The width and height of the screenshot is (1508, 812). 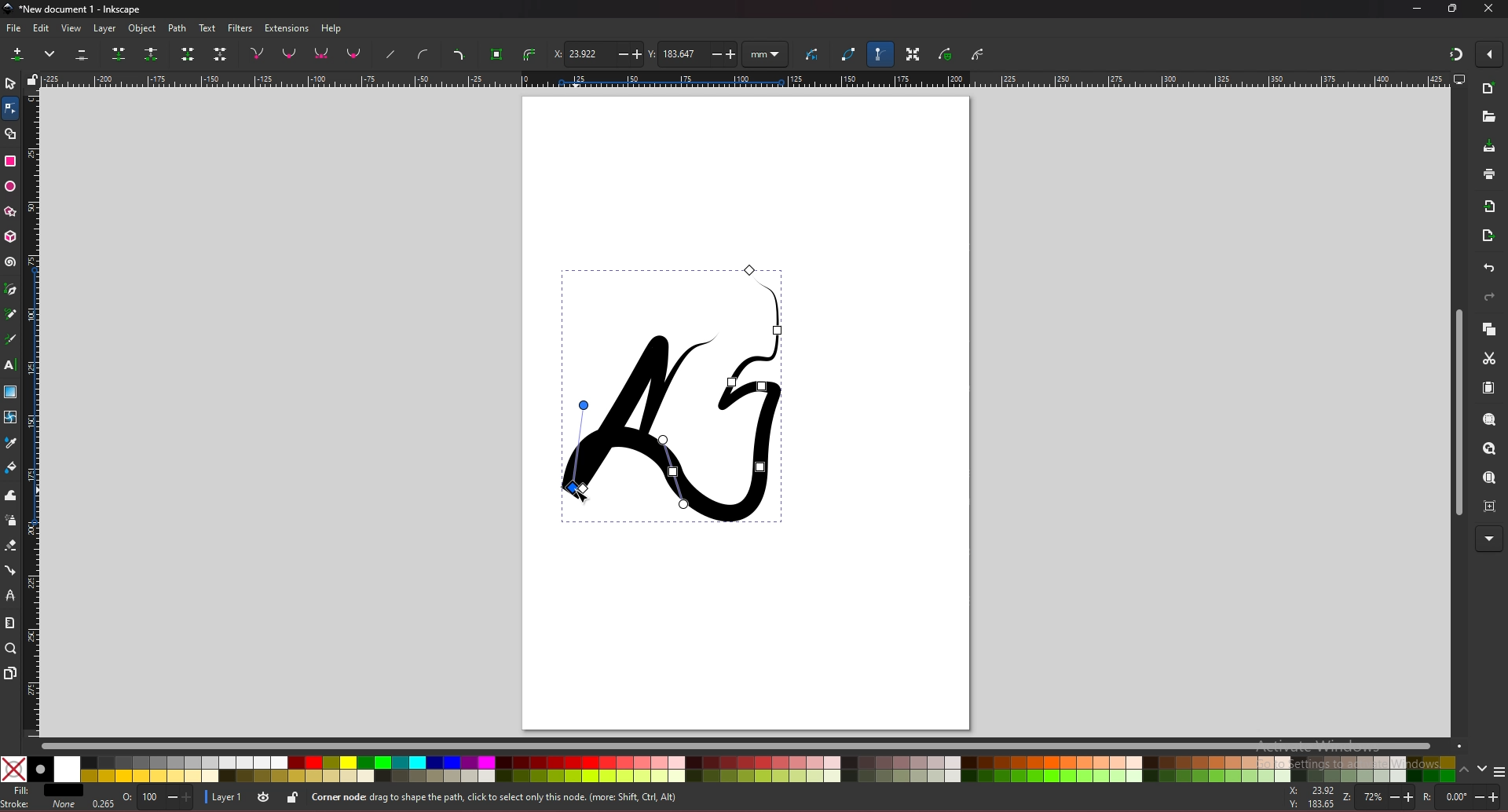 I want to click on snapping, so click(x=1456, y=54).